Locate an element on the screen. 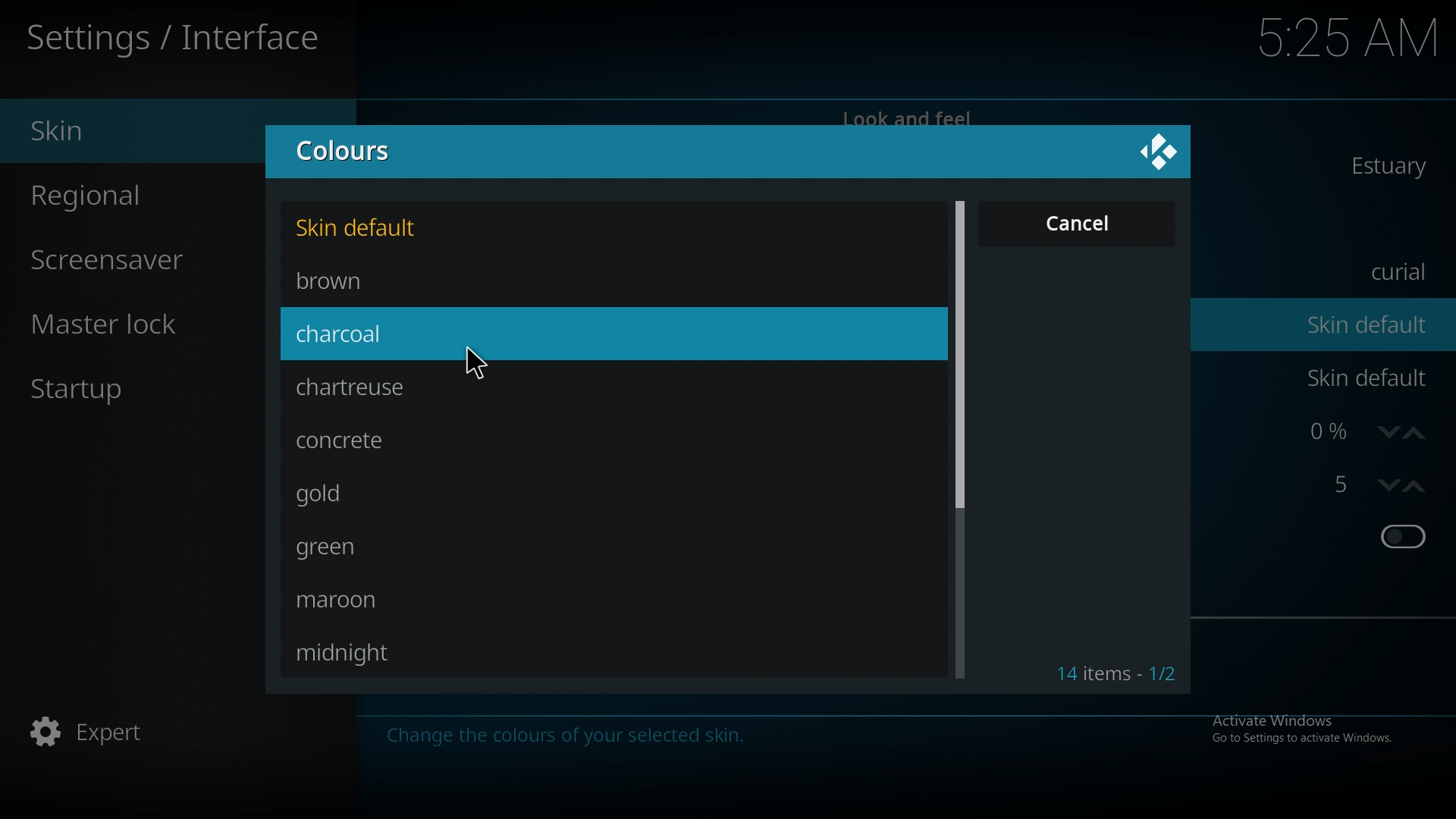 This screenshot has width=1456, height=819. skin default is located at coordinates (1363, 325).